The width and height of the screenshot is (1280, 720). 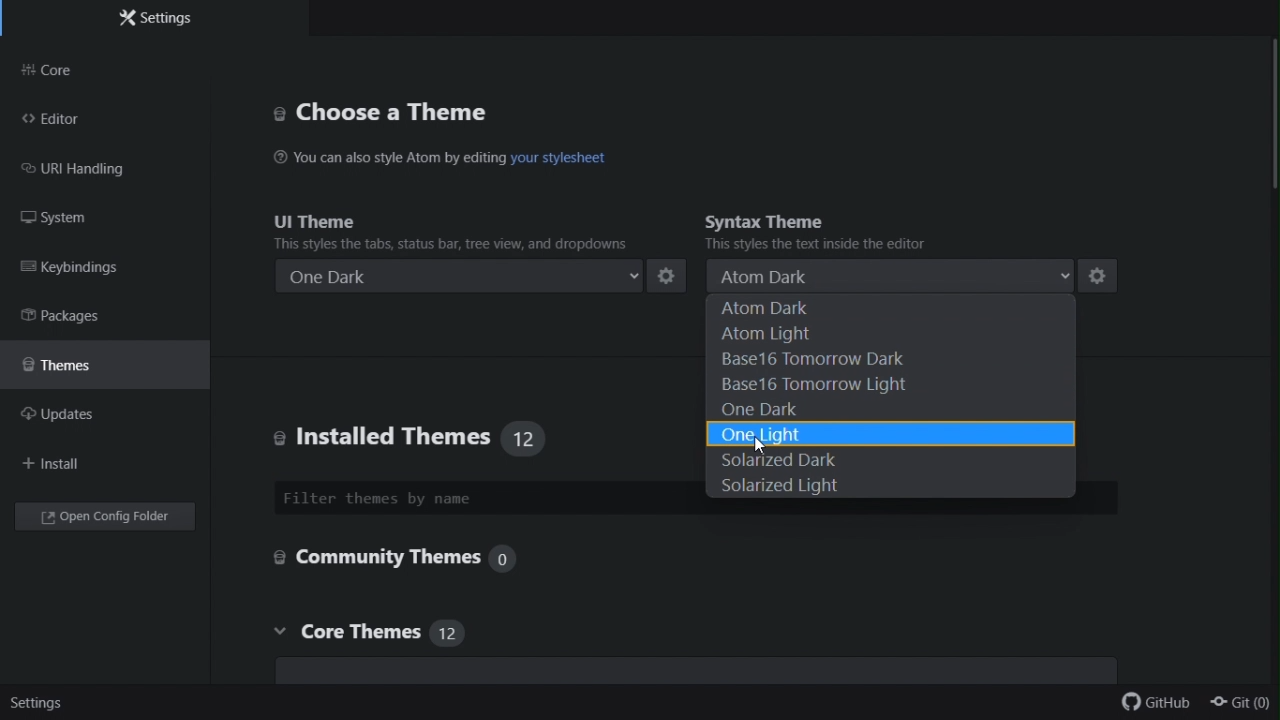 What do you see at coordinates (387, 159) in the screenshot?
I see `You can also style Atom by editing` at bounding box center [387, 159].